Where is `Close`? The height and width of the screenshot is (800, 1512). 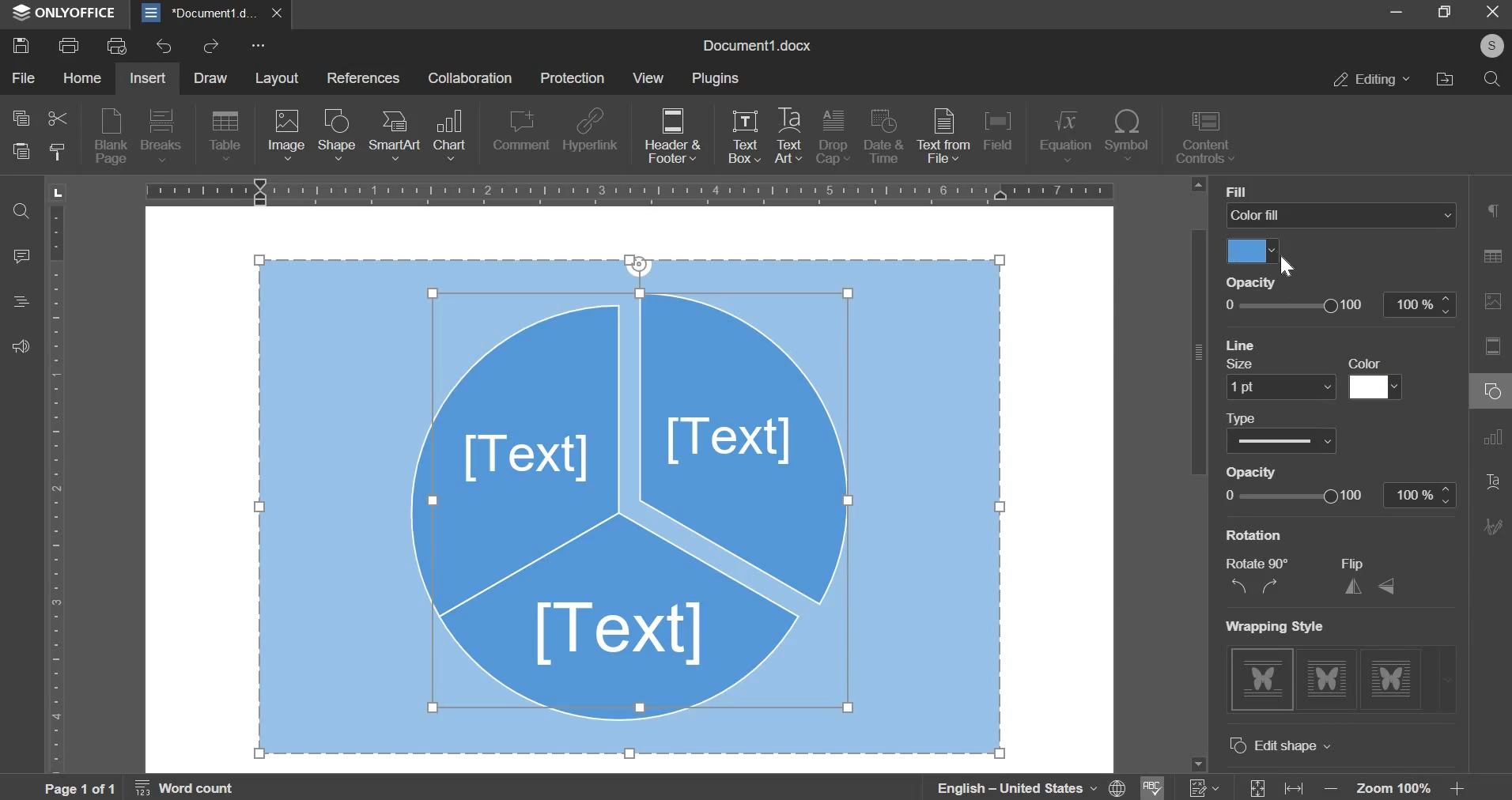 Close is located at coordinates (1492, 13).